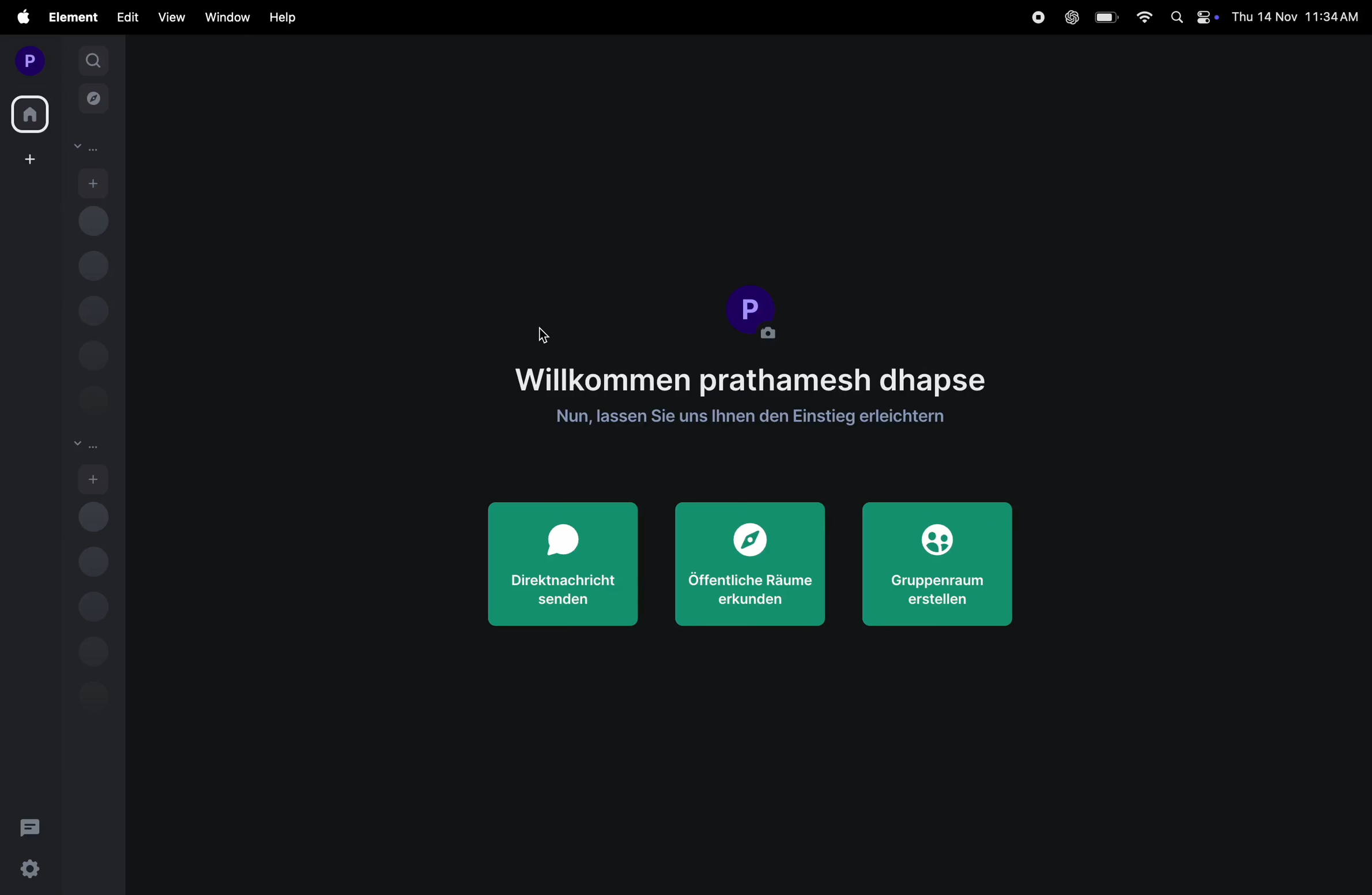  What do you see at coordinates (70, 16) in the screenshot?
I see `element` at bounding box center [70, 16].